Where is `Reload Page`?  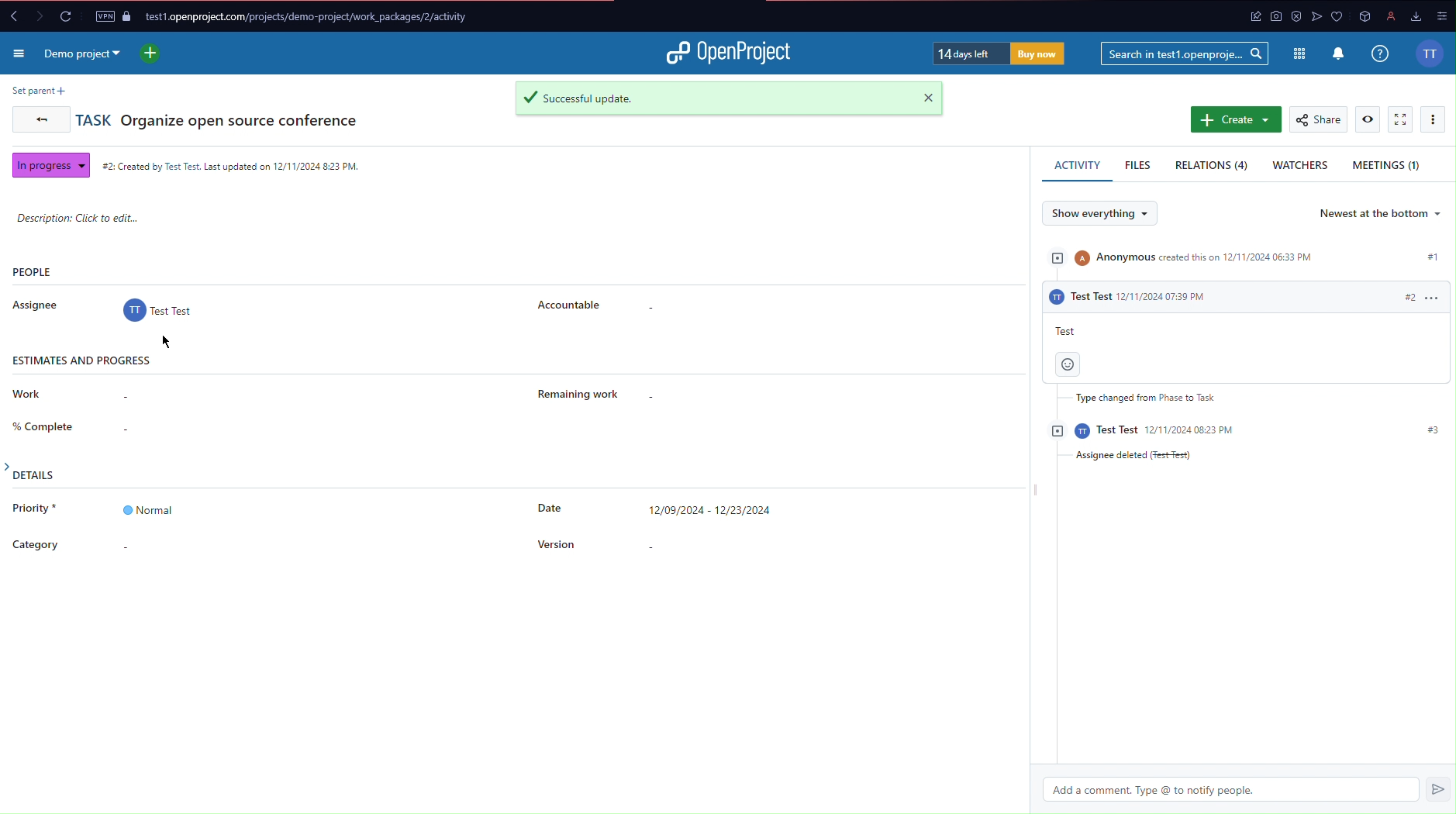
Reload Page is located at coordinates (66, 16).